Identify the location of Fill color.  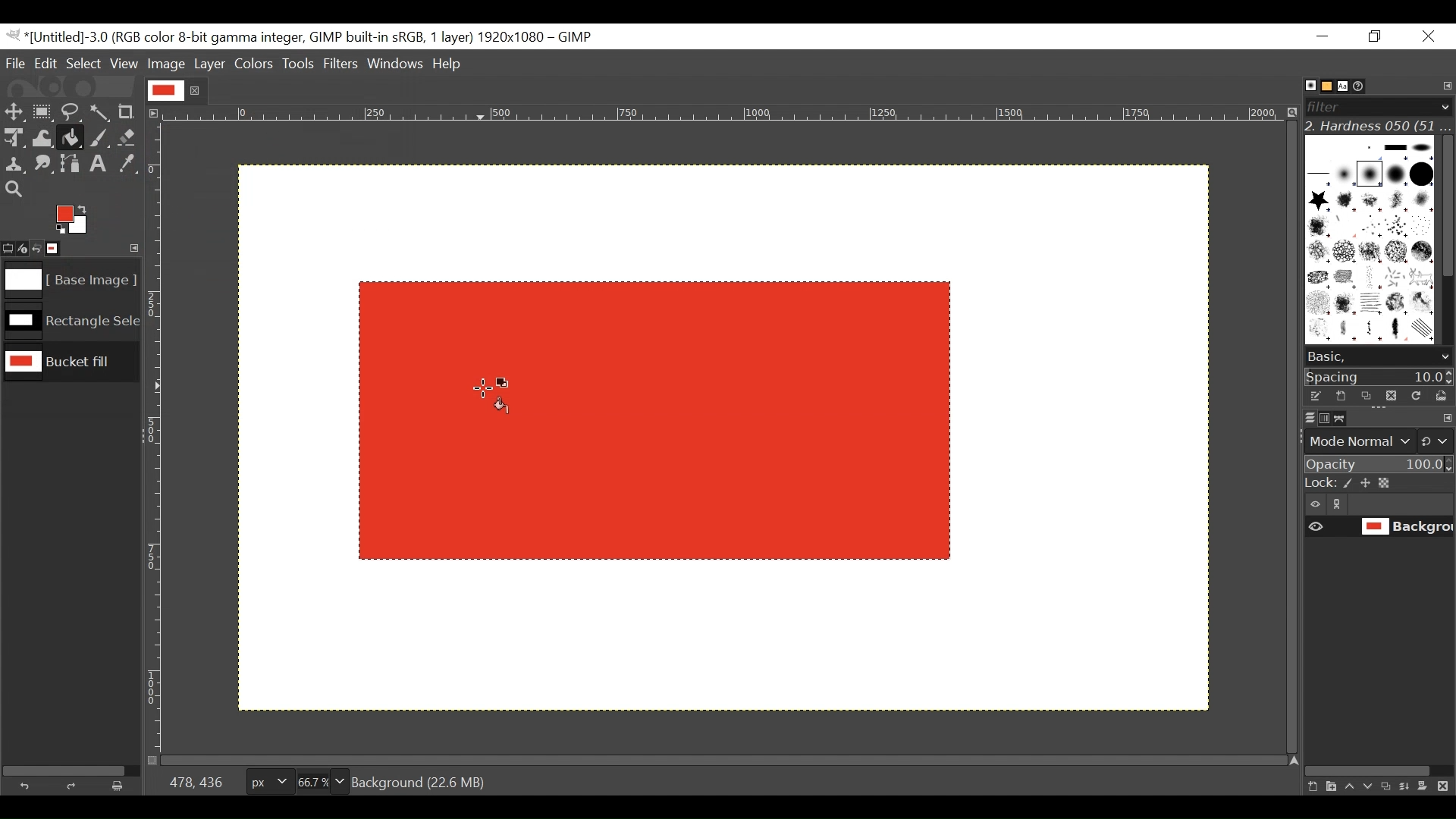
(502, 406).